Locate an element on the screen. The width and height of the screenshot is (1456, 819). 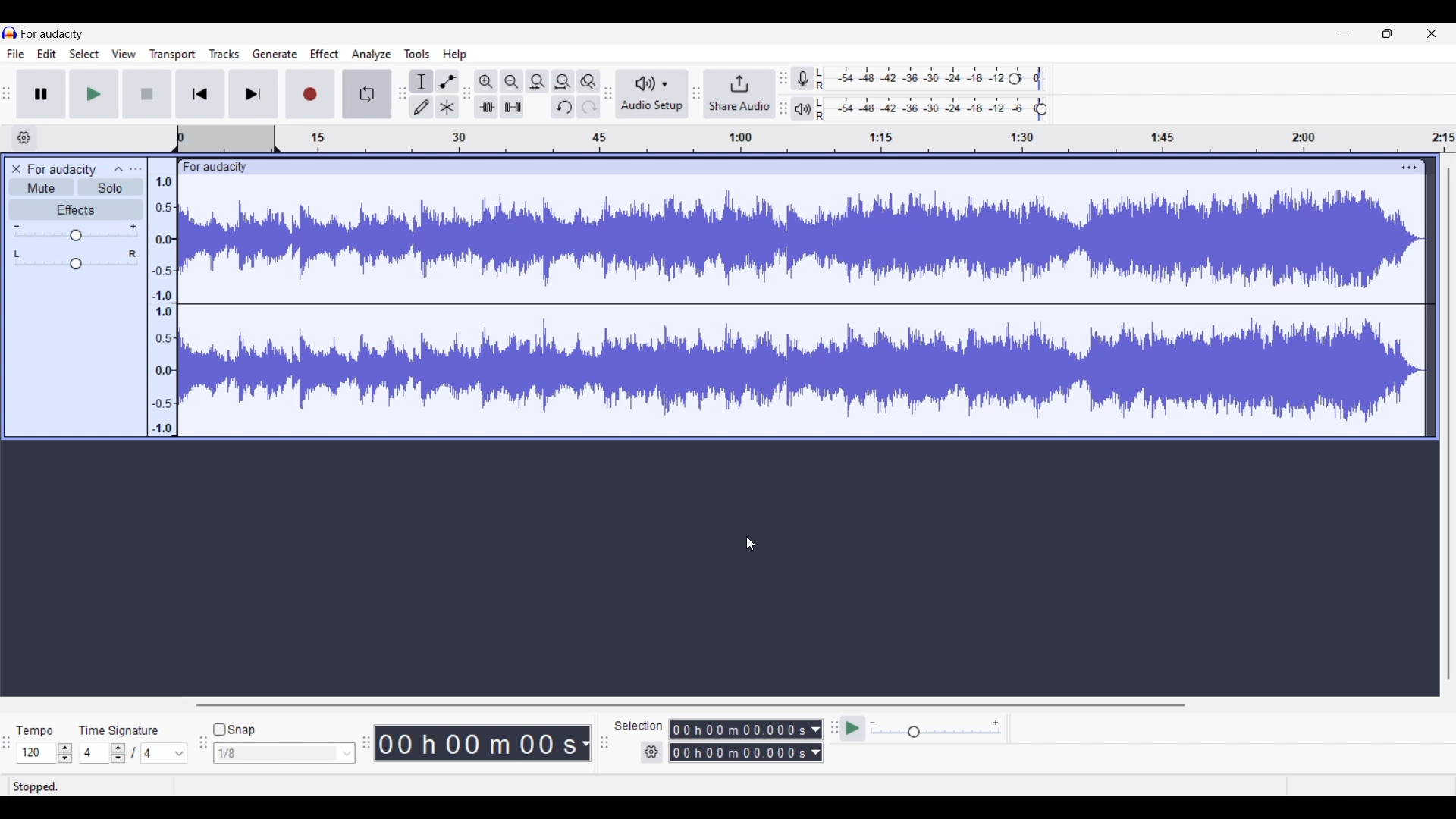
Mute is located at coordinates (41, 187).